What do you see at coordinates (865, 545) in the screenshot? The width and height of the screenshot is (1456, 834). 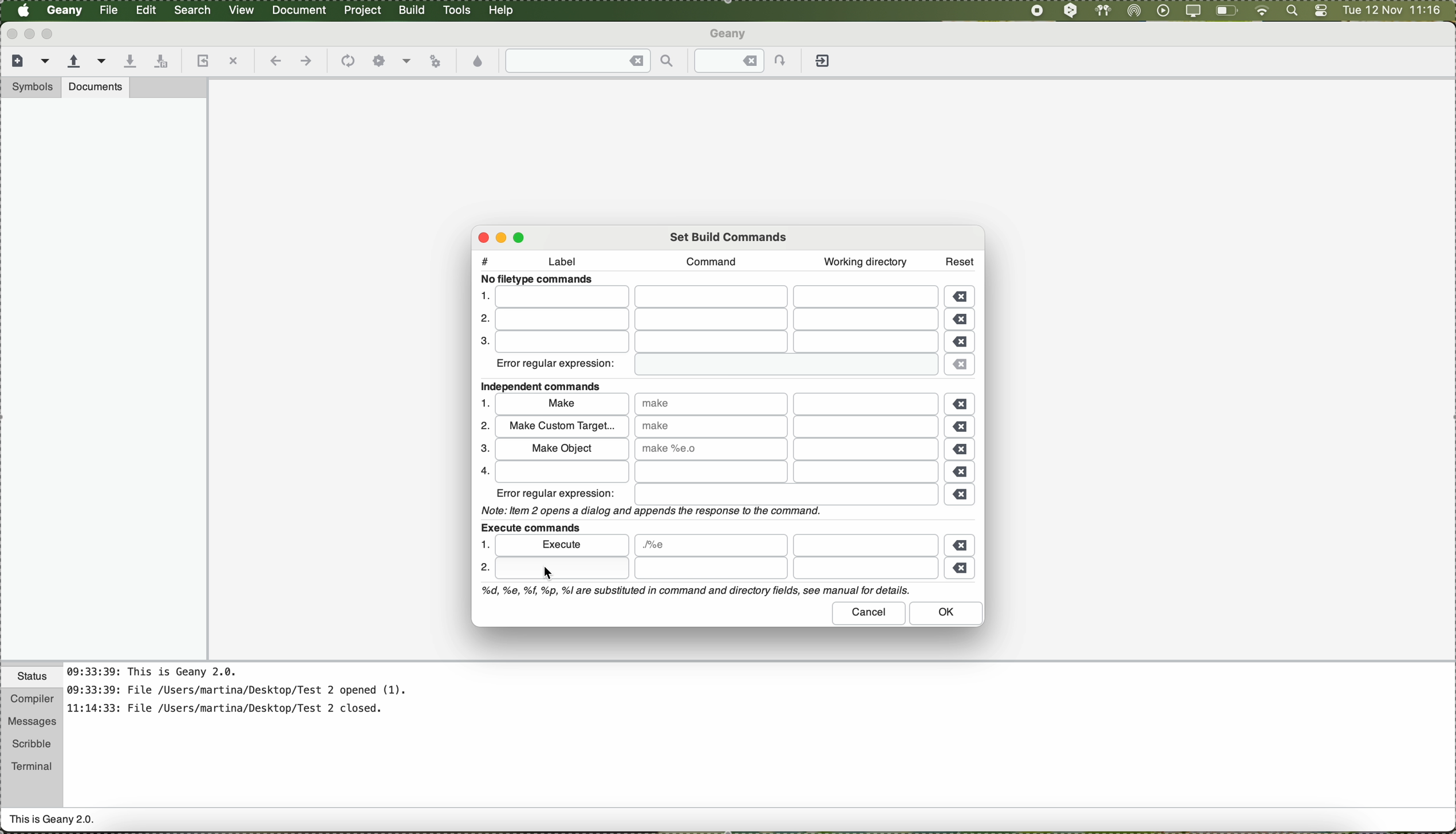 I see `file` at bounding box center [865, 545].